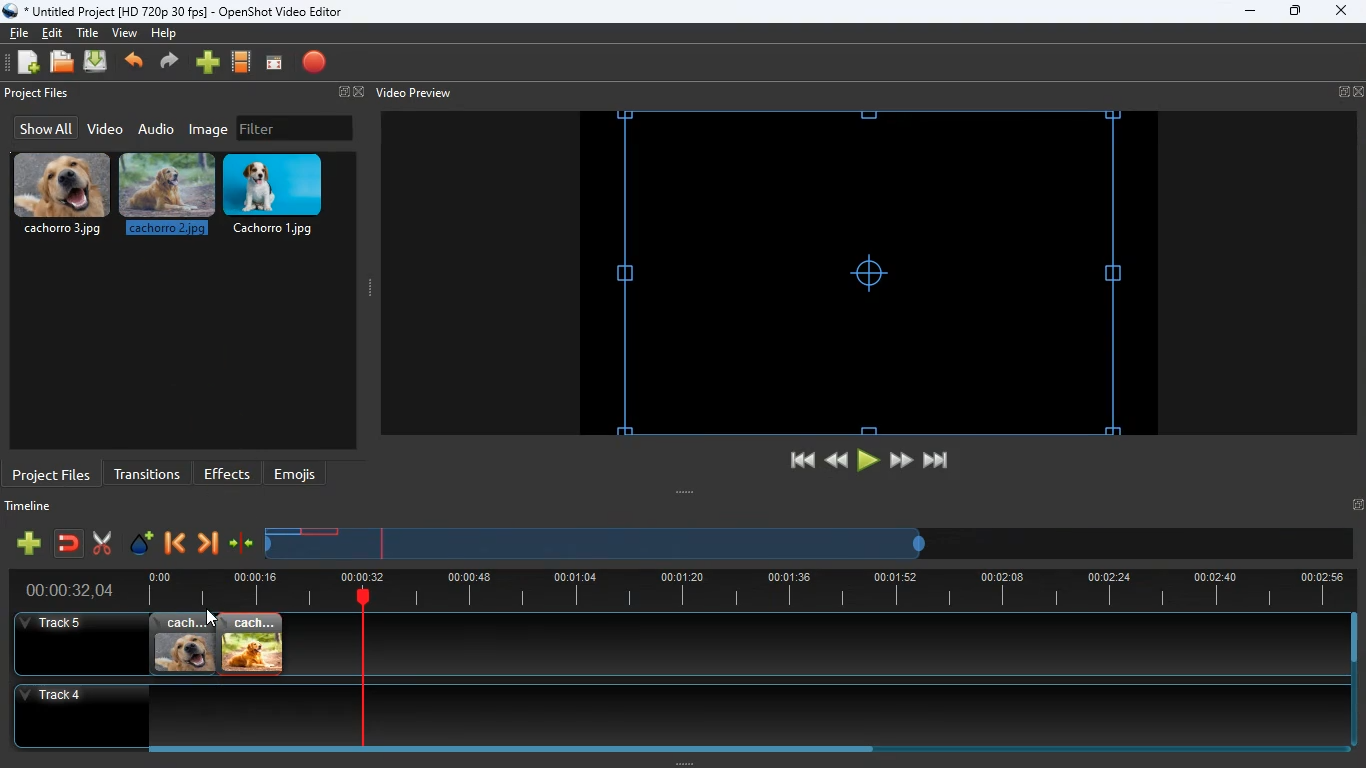  Describe the element at coordinates (793, 461) in the screenshot. I see `beggining` at that location.